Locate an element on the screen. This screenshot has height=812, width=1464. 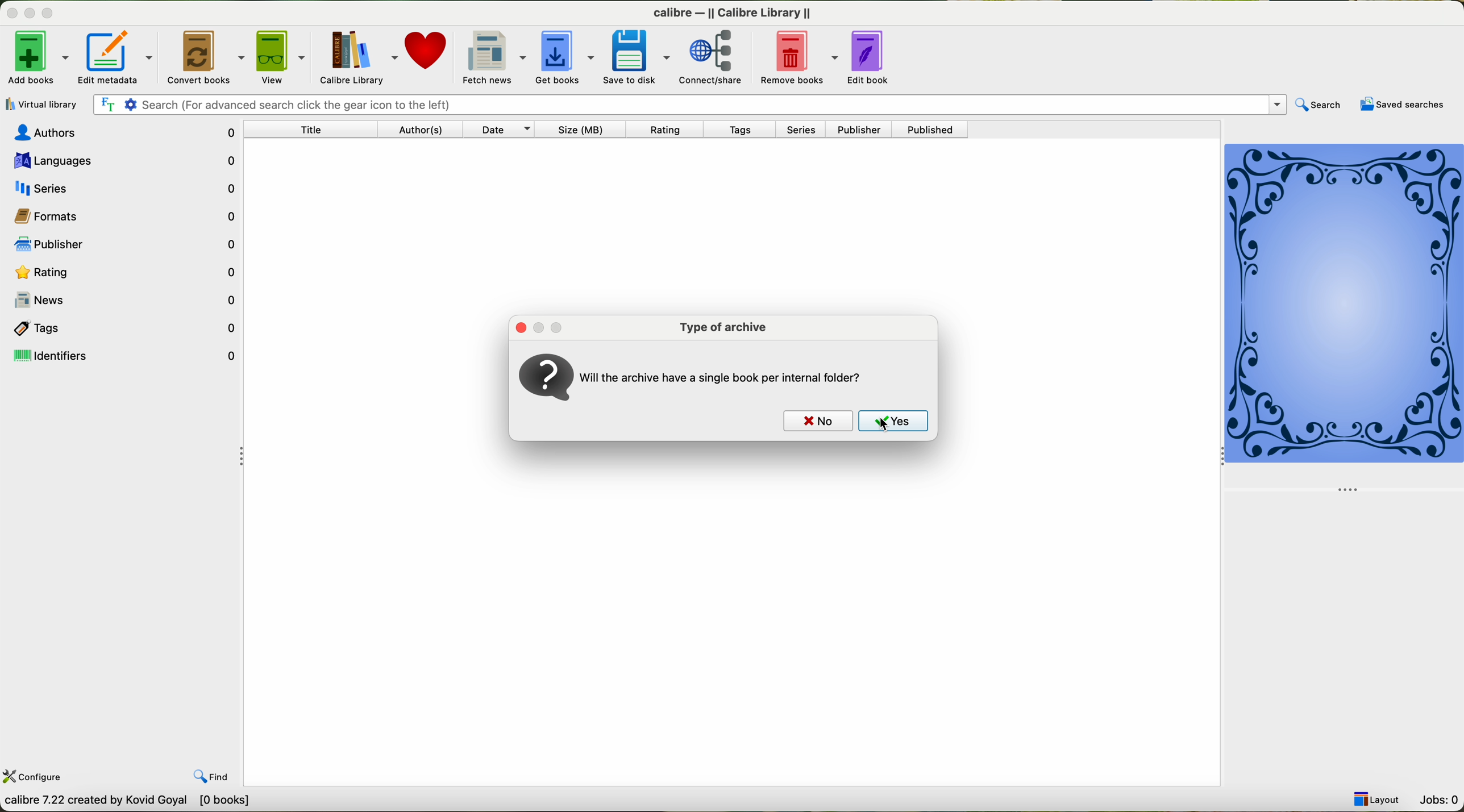
edit metadata is located at coordinates (115, 56).